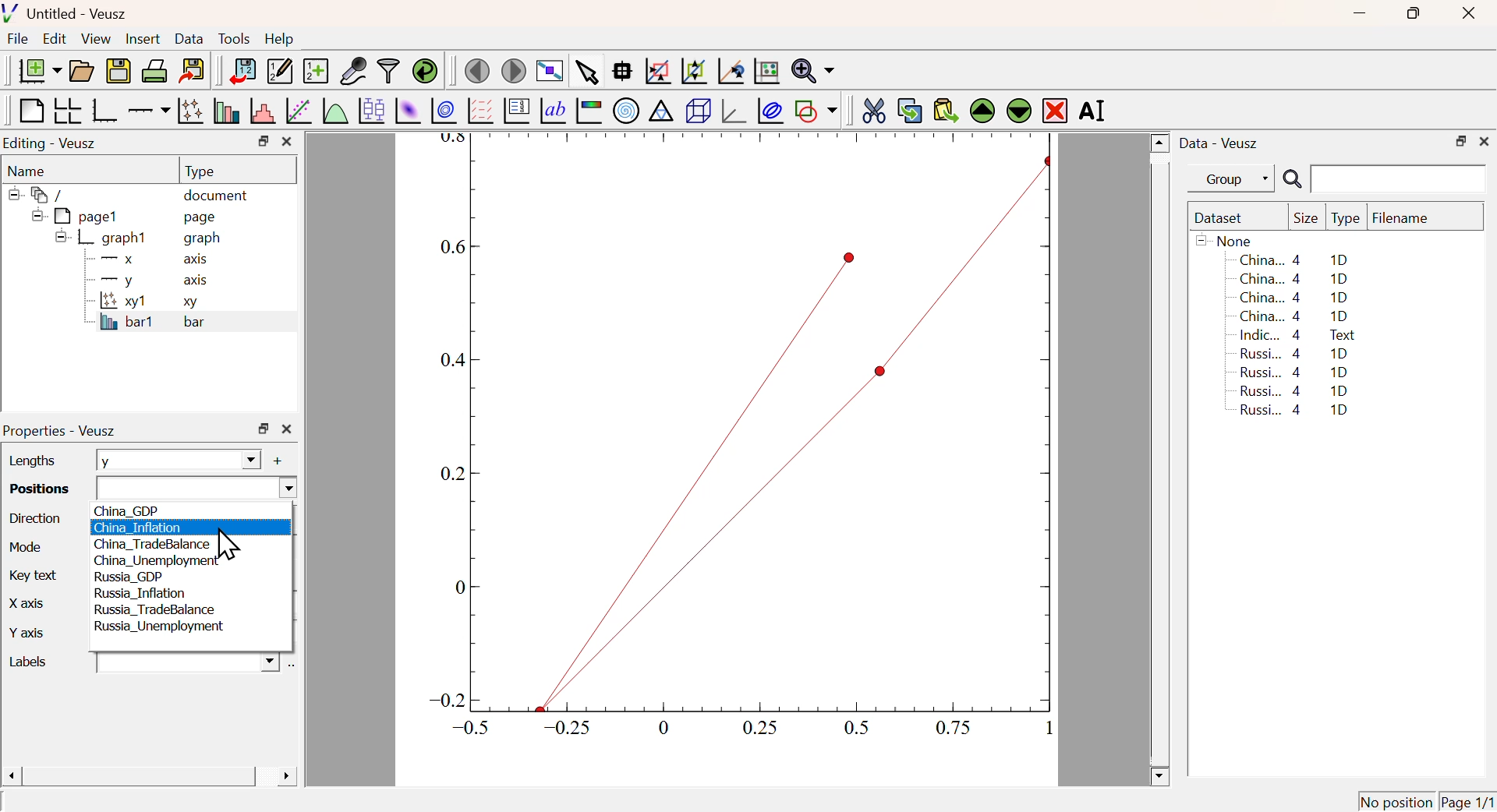 The image size is (1497, 812). I want to click on /, so click(39, 195).